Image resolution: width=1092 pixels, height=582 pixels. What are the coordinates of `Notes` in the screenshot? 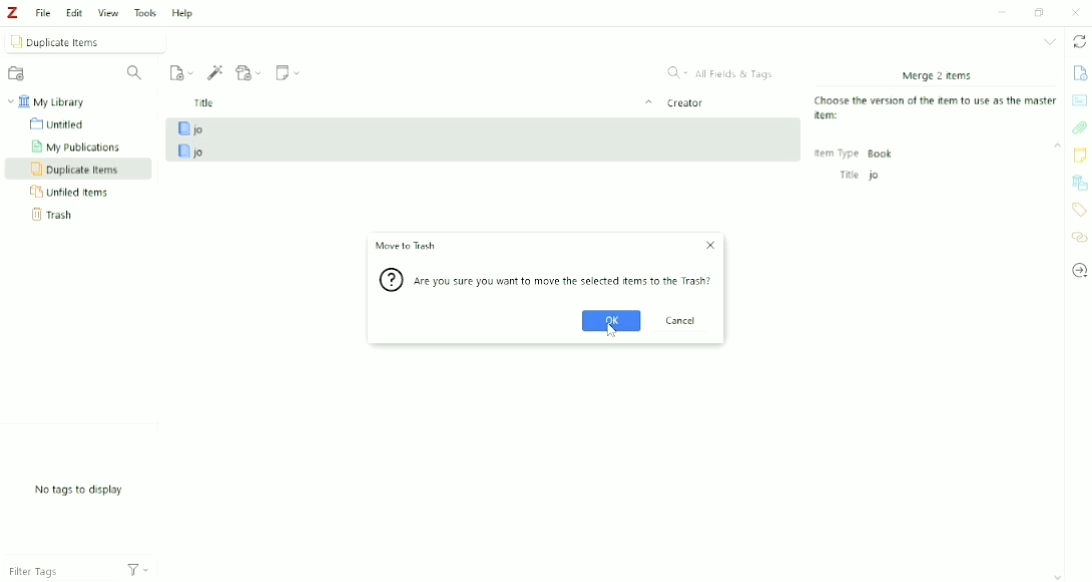 It's located at (1080, 155).